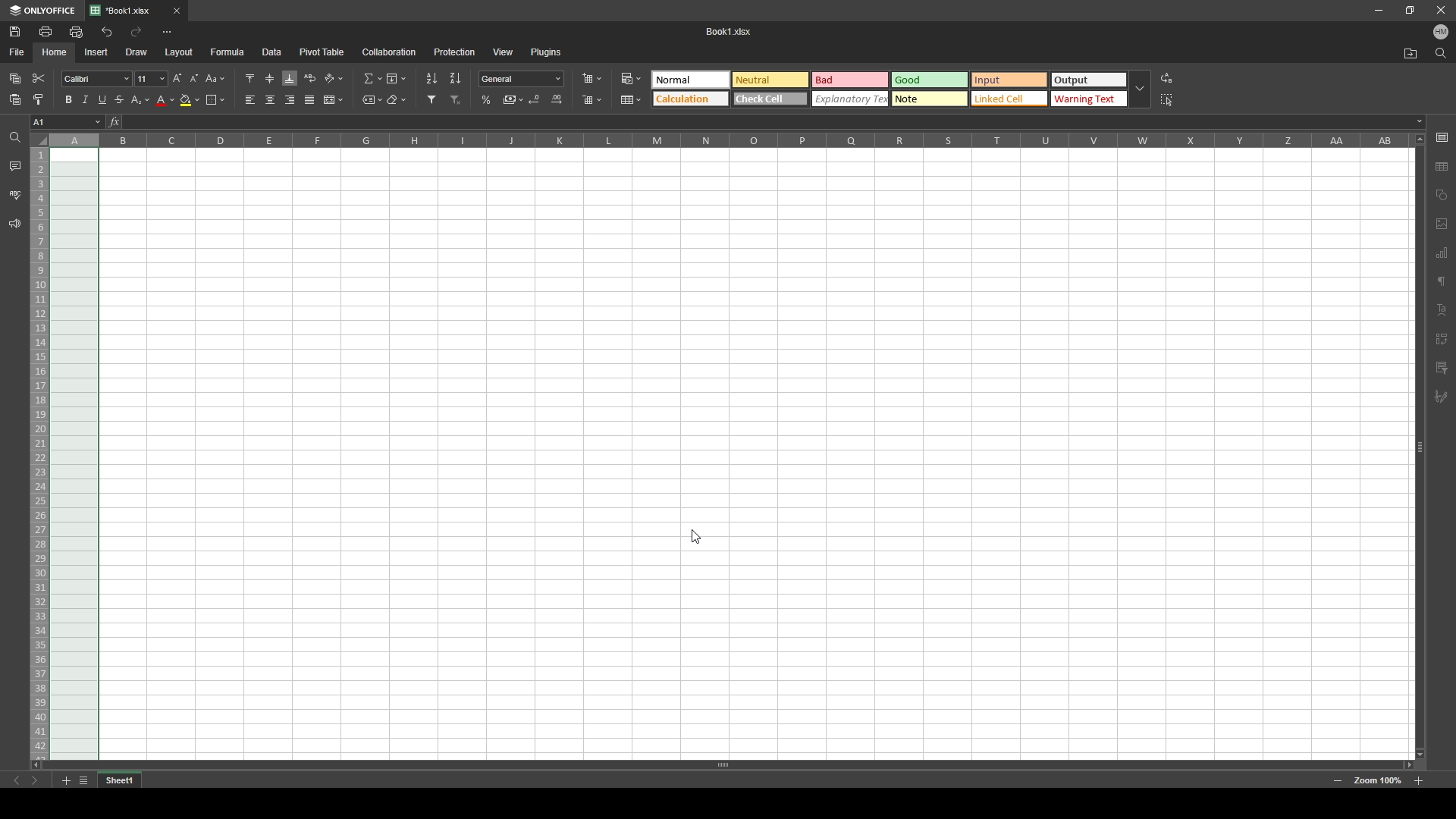 The height and width of the screenshot is (819, 1456). What do you see at coordinates (1441, 11) in the screenshot?
I see `close` at bounding box center [1441, 11].